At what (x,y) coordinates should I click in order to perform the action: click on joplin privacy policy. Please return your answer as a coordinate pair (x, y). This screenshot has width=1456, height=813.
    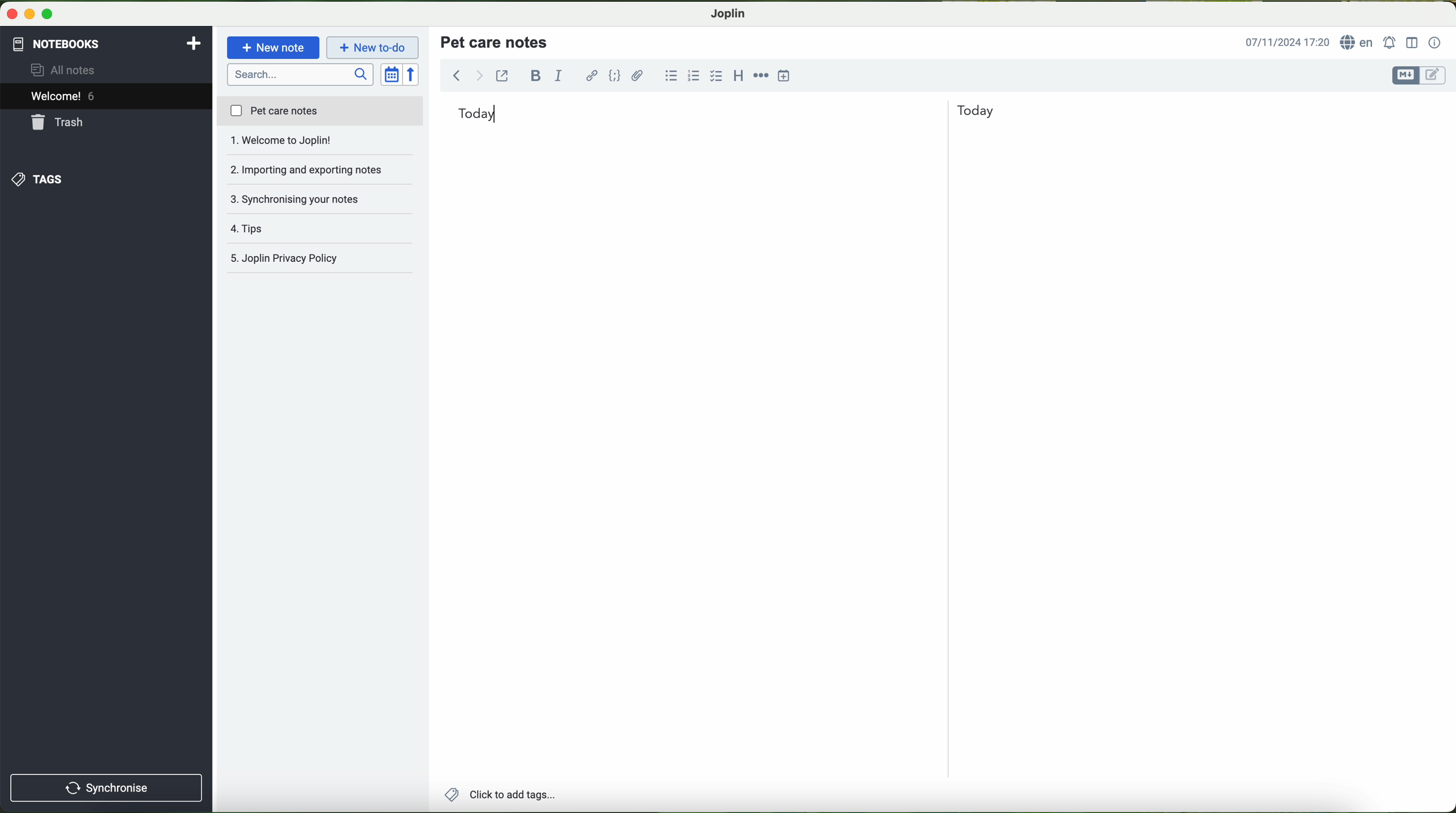
    Looking at the image, I should click on (314, 260).